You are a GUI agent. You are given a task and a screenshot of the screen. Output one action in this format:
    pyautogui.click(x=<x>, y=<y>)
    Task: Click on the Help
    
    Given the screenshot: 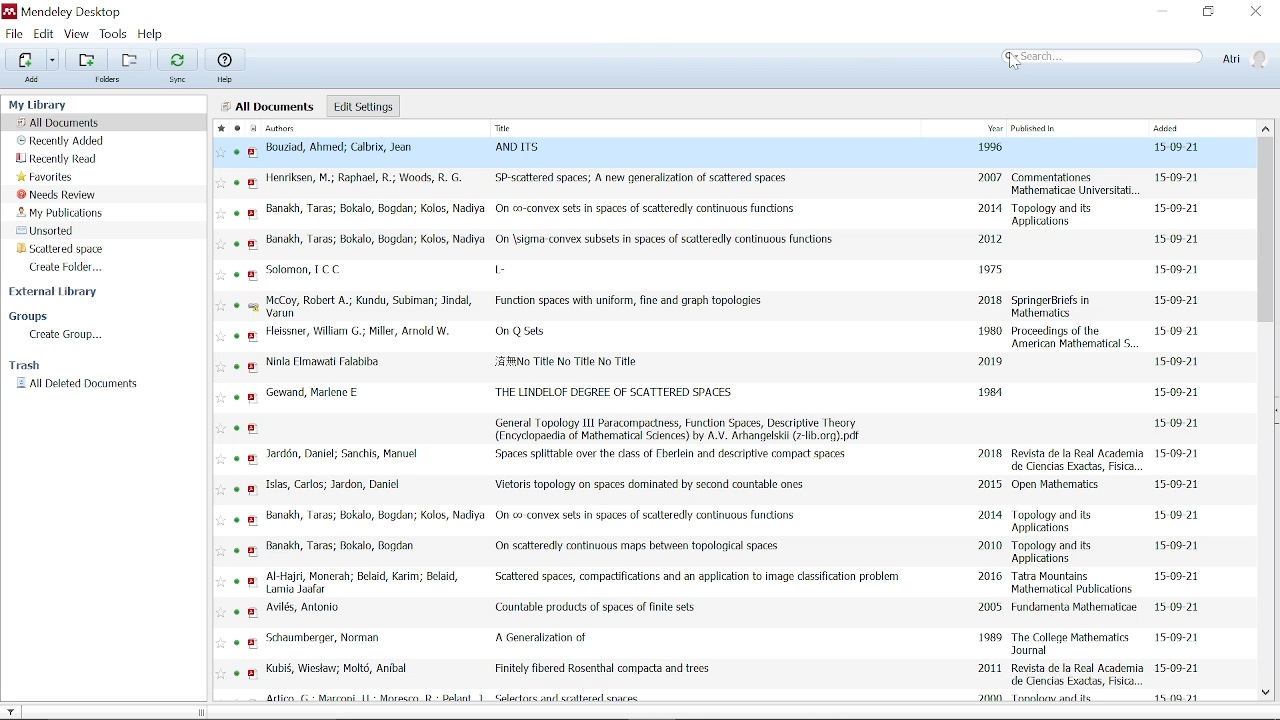 What is the action you would take?
    pyautogui.click(x=227, y=65)
    